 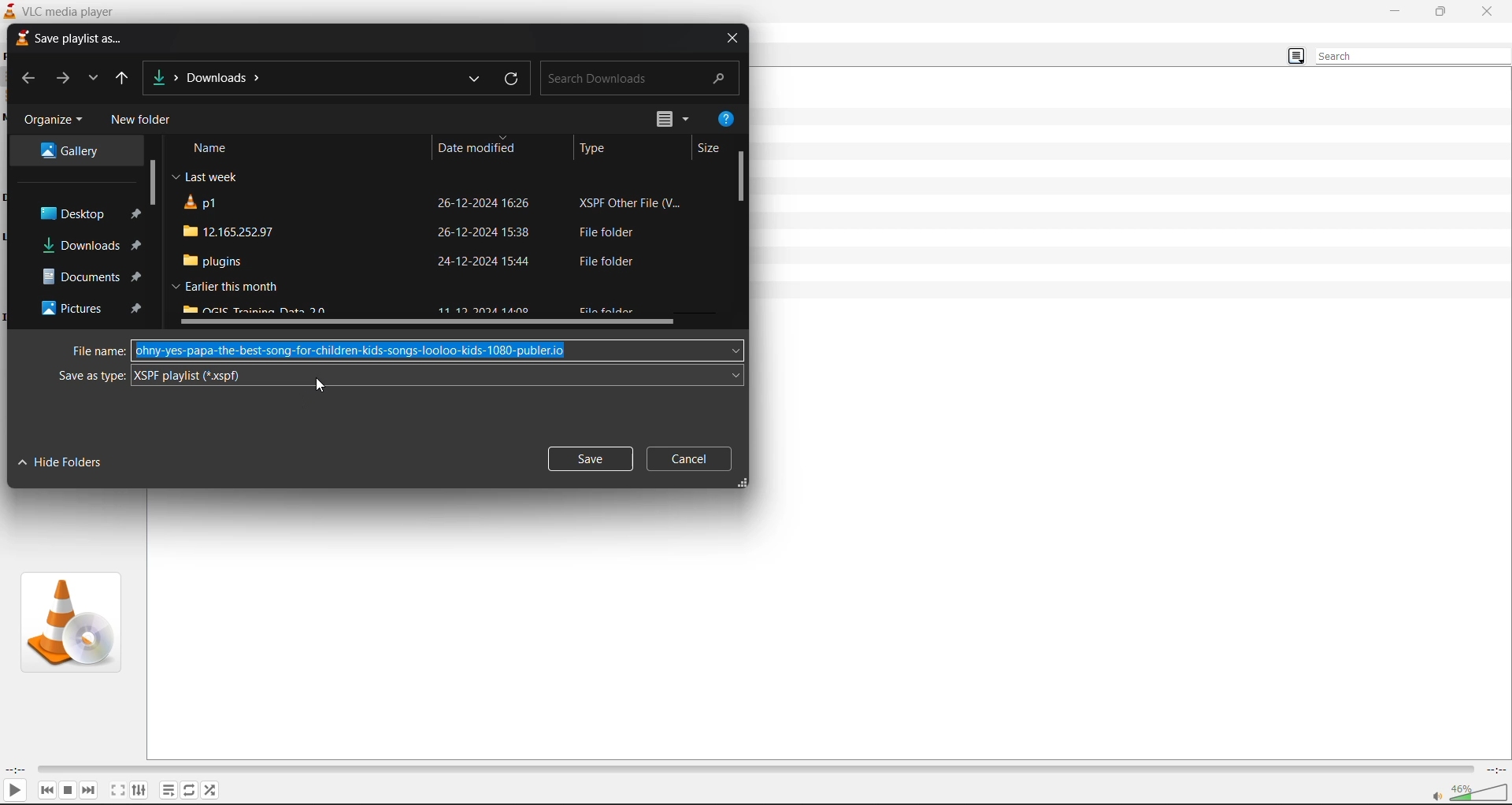 What do you see at coordinates (322, 389) in the screenshot?
I see `cursor` at bounding box center [322, 389].